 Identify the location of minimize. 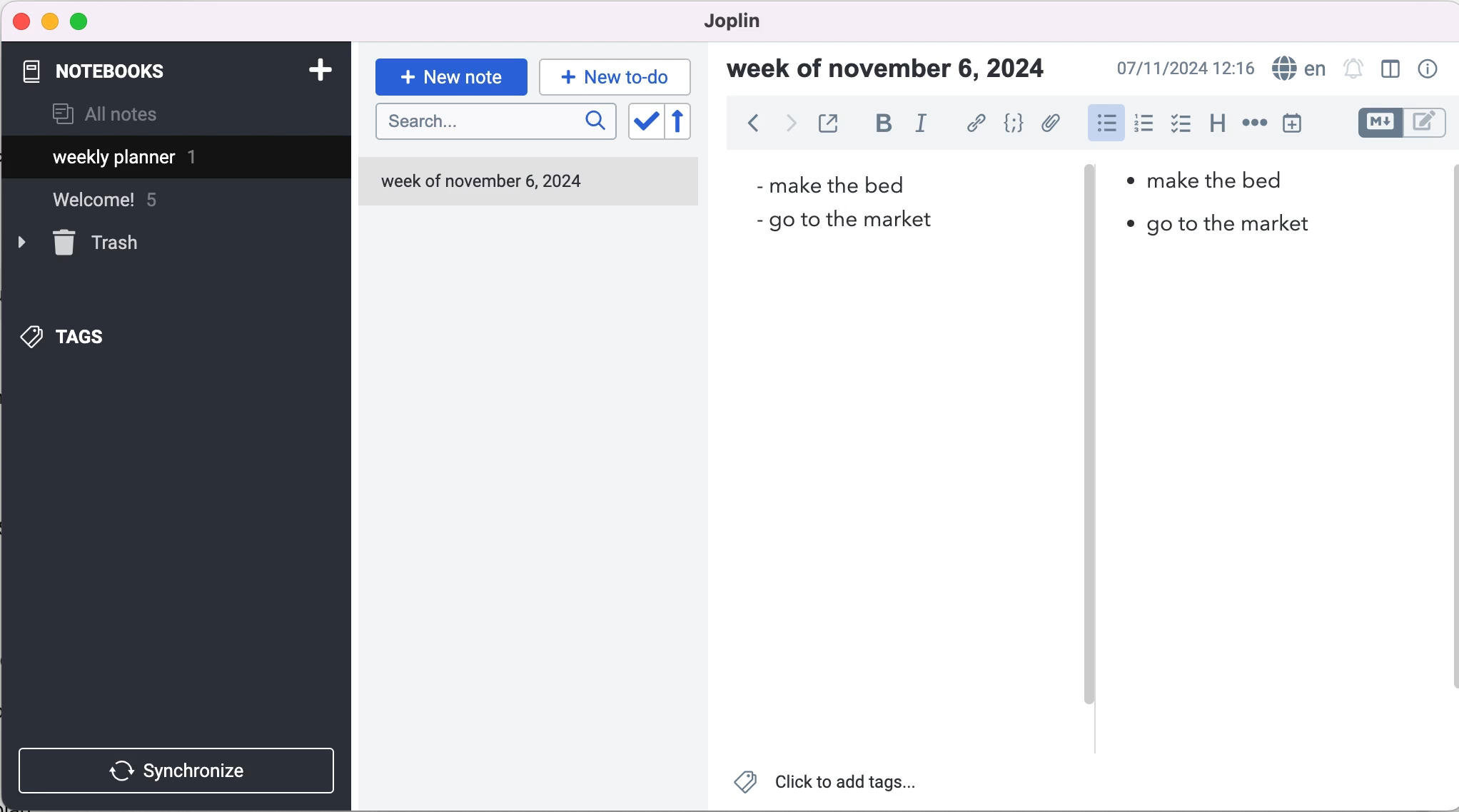
(50, 21).